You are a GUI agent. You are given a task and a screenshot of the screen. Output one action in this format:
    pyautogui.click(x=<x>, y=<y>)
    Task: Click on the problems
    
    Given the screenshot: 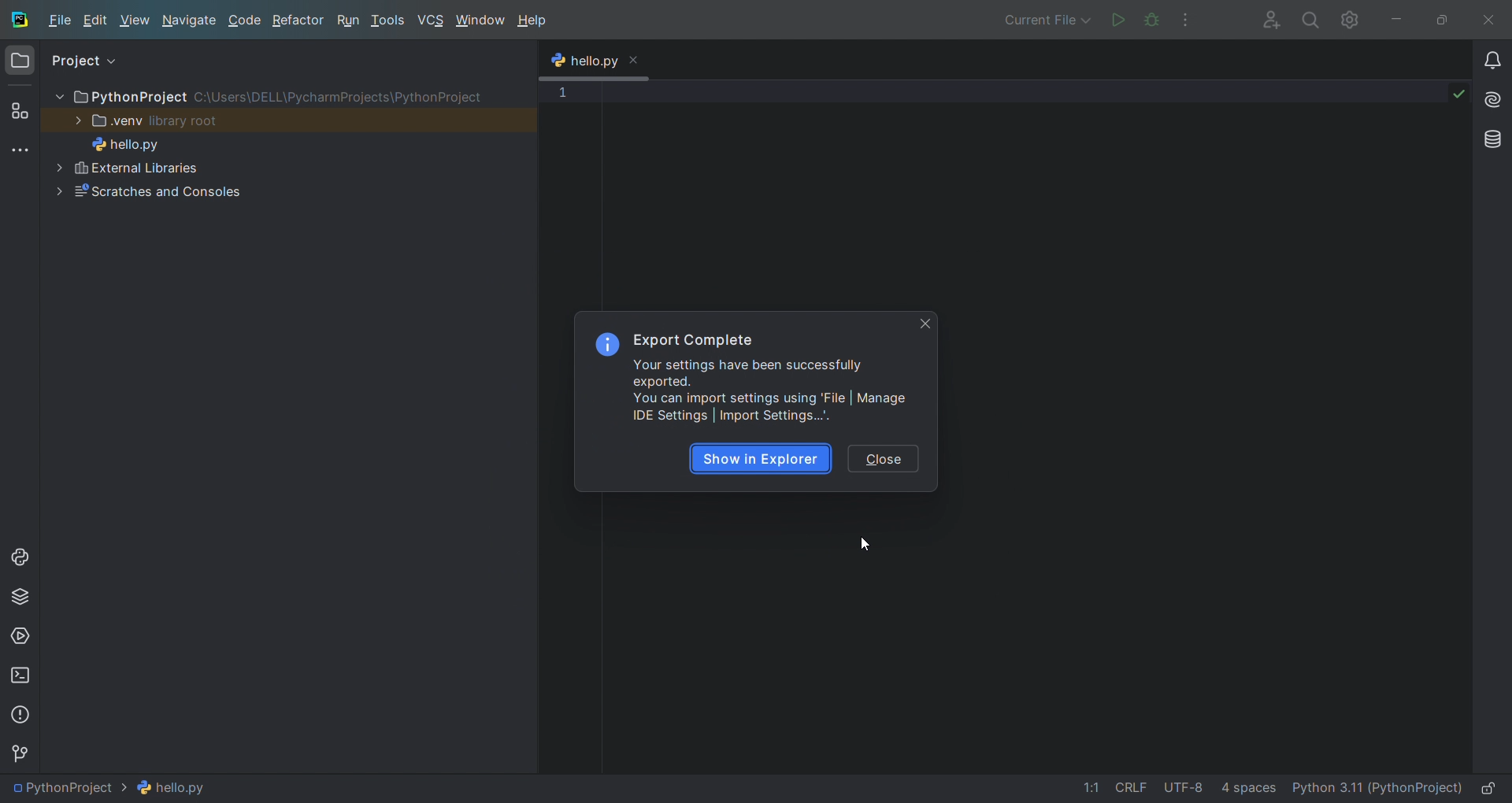 What is the action you would take?
    pyautogui.click(x=20, y=716)
    